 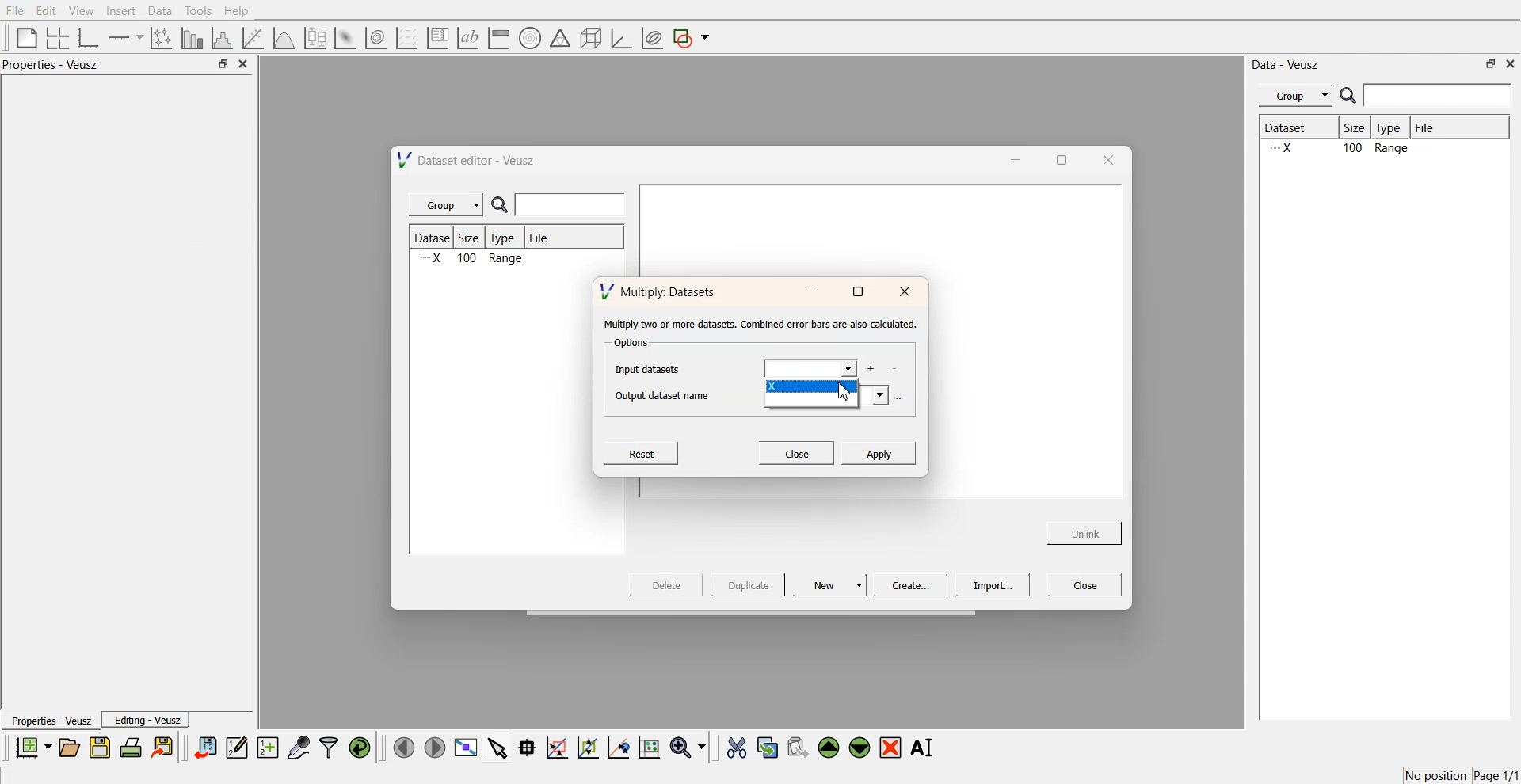 What do you see at coordinates (558, 40) in the screenshot?
I see `ternary shapes` at bounding box center [558, 40].